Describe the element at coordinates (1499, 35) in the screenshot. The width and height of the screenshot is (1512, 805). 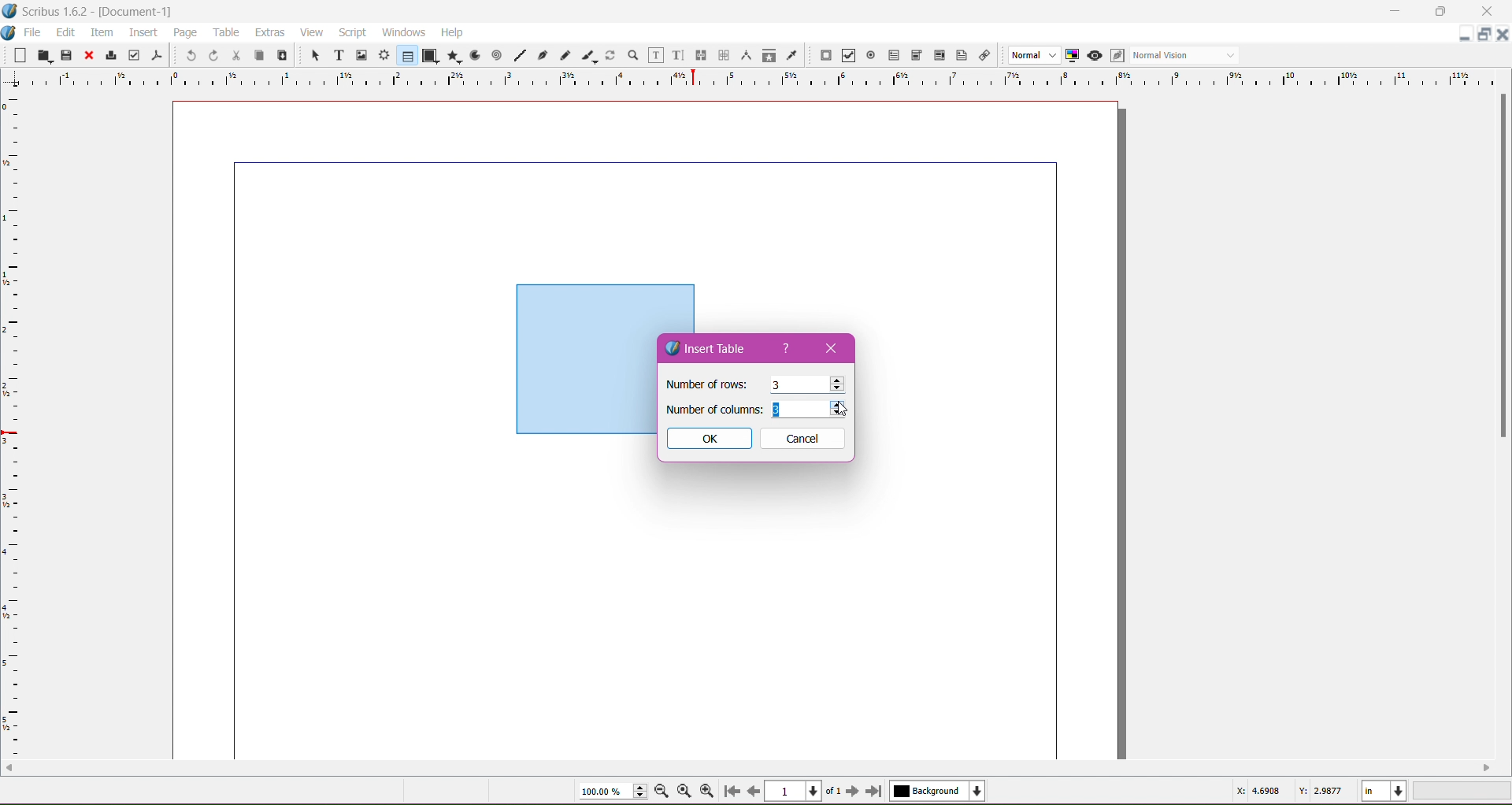
I see `CLOSE BUTTON` at that location.